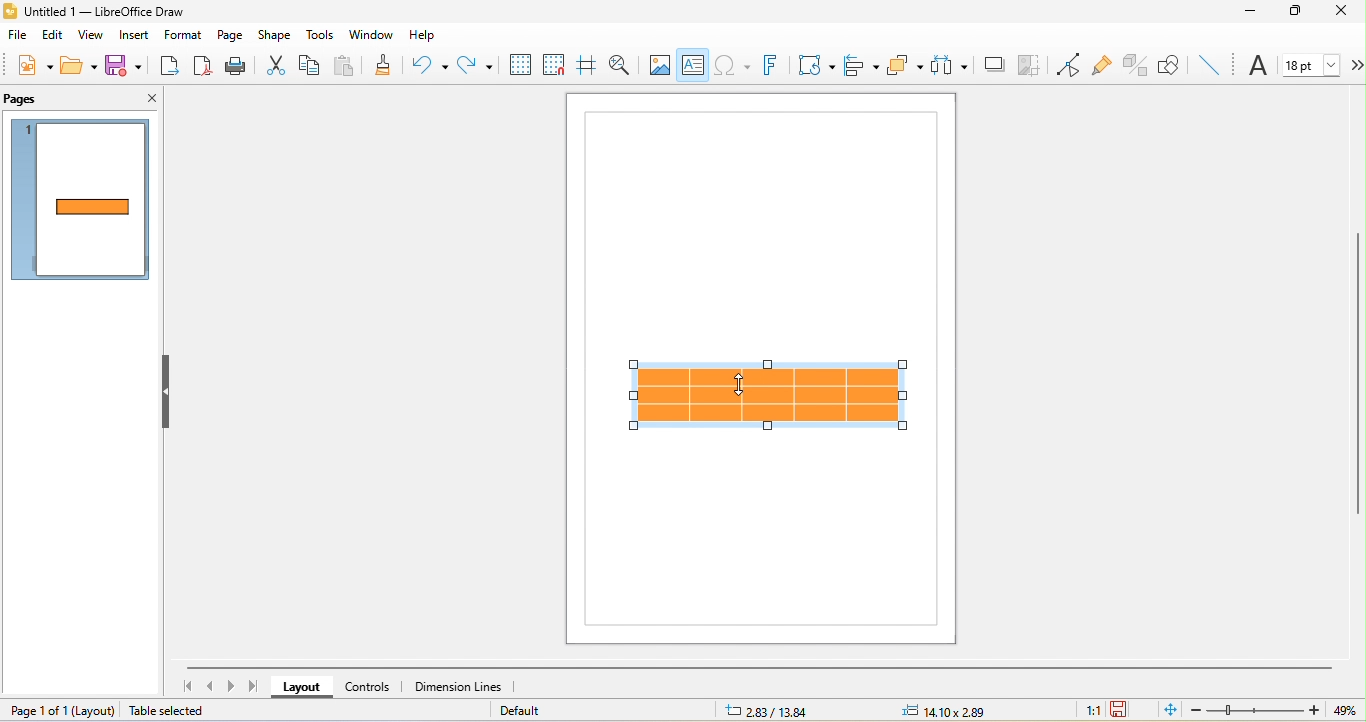 The width and height of the screenshot is (1366, 722). I want to click on view, so click(91, 36).